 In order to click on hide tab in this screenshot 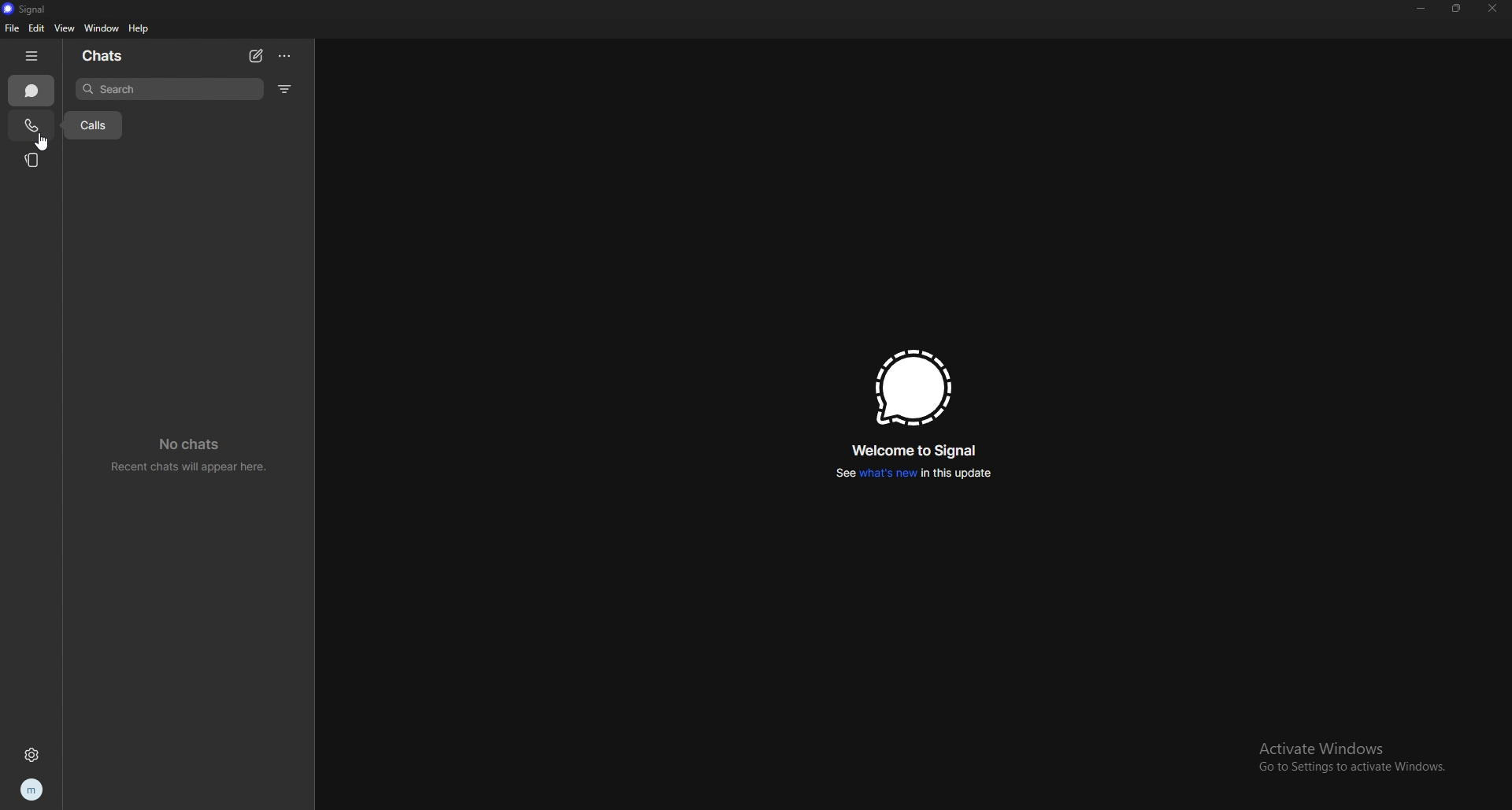, I will do `click(31, 57)`.